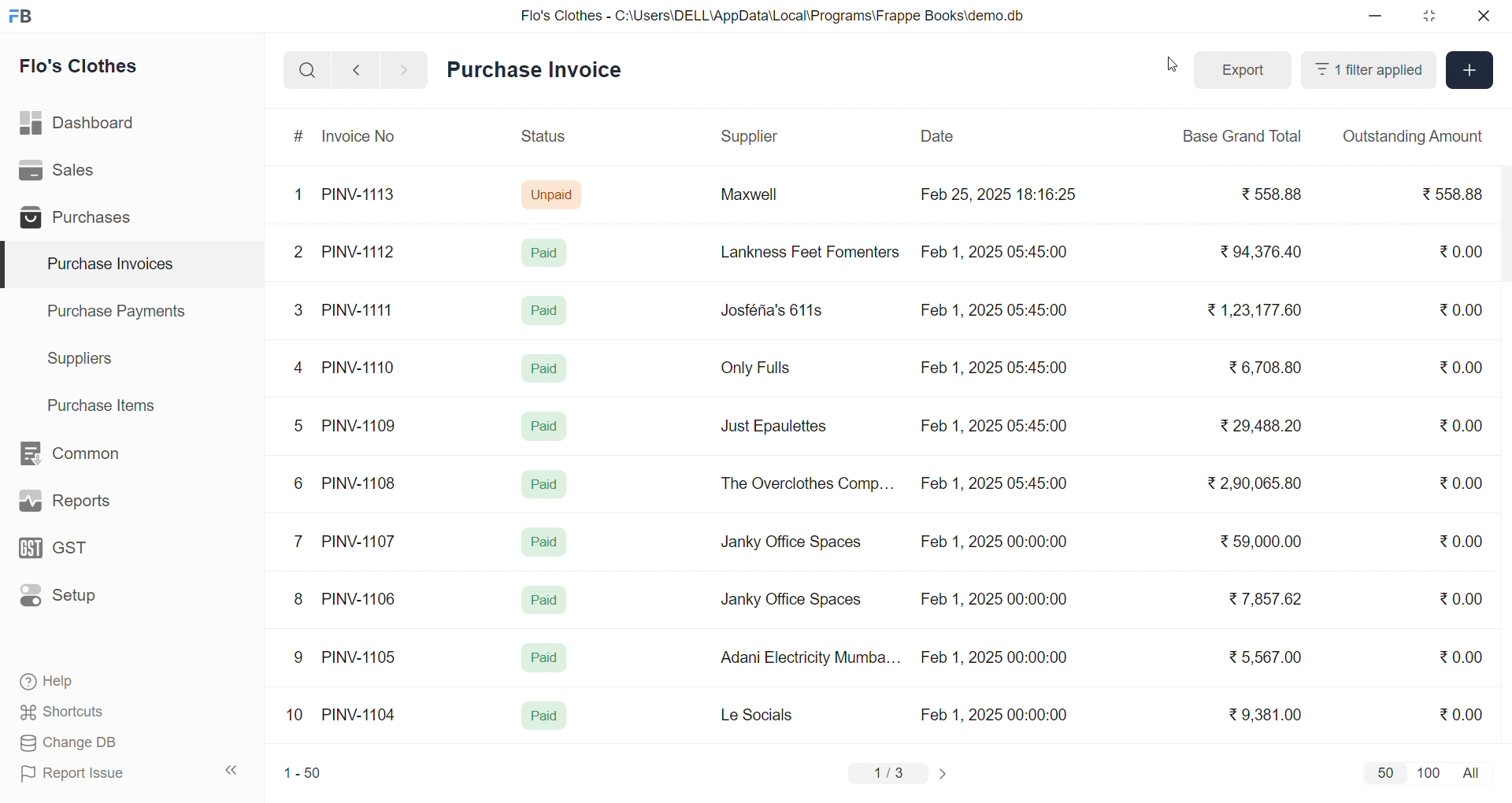 The image size is (1512, 803). What do you see at coordinates (1262, 657) in the screenshot?
I see `₹ 5,567.00` at bounding box center [1262, 657].